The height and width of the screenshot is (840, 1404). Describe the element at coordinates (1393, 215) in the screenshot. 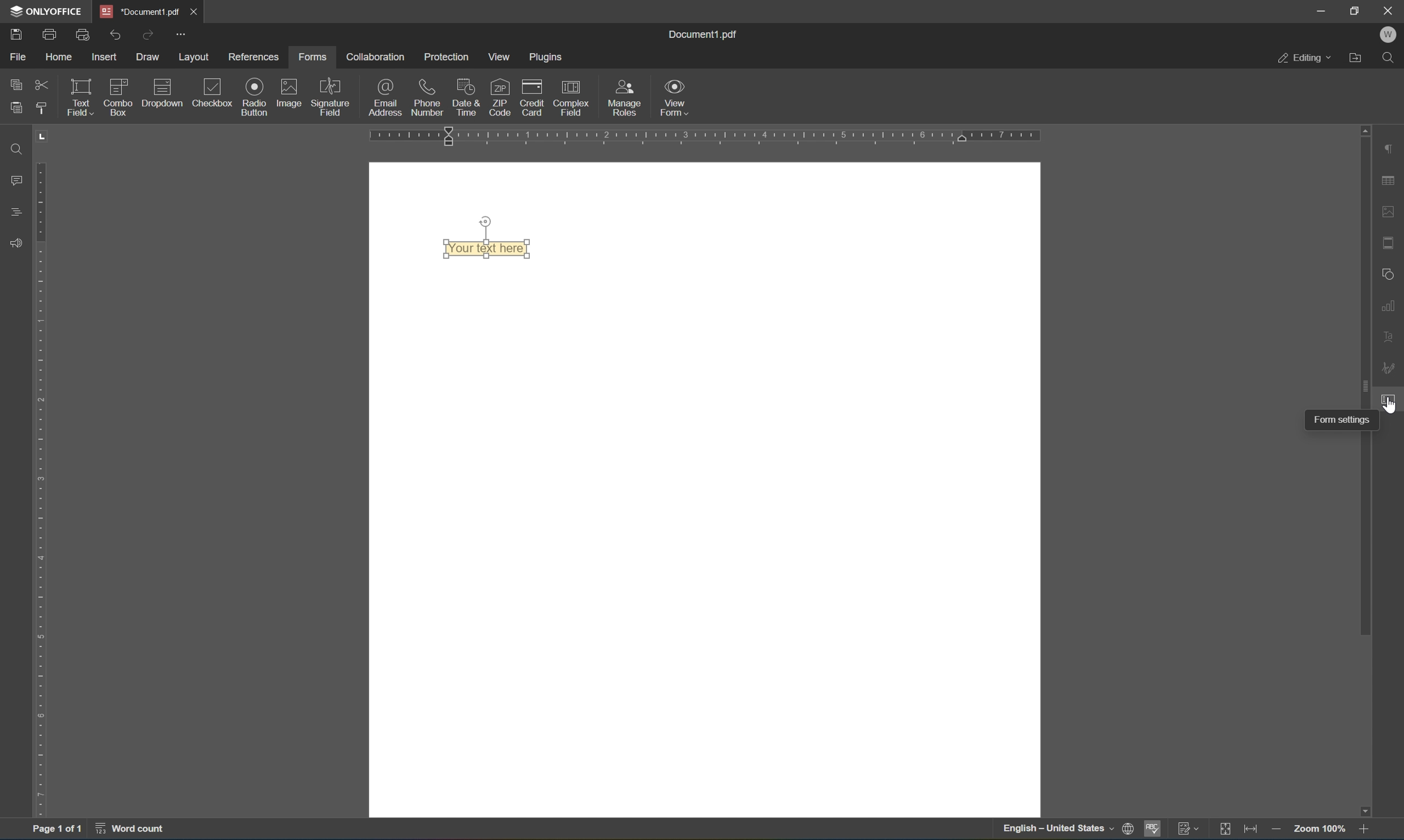

I see `image settings` at that location.